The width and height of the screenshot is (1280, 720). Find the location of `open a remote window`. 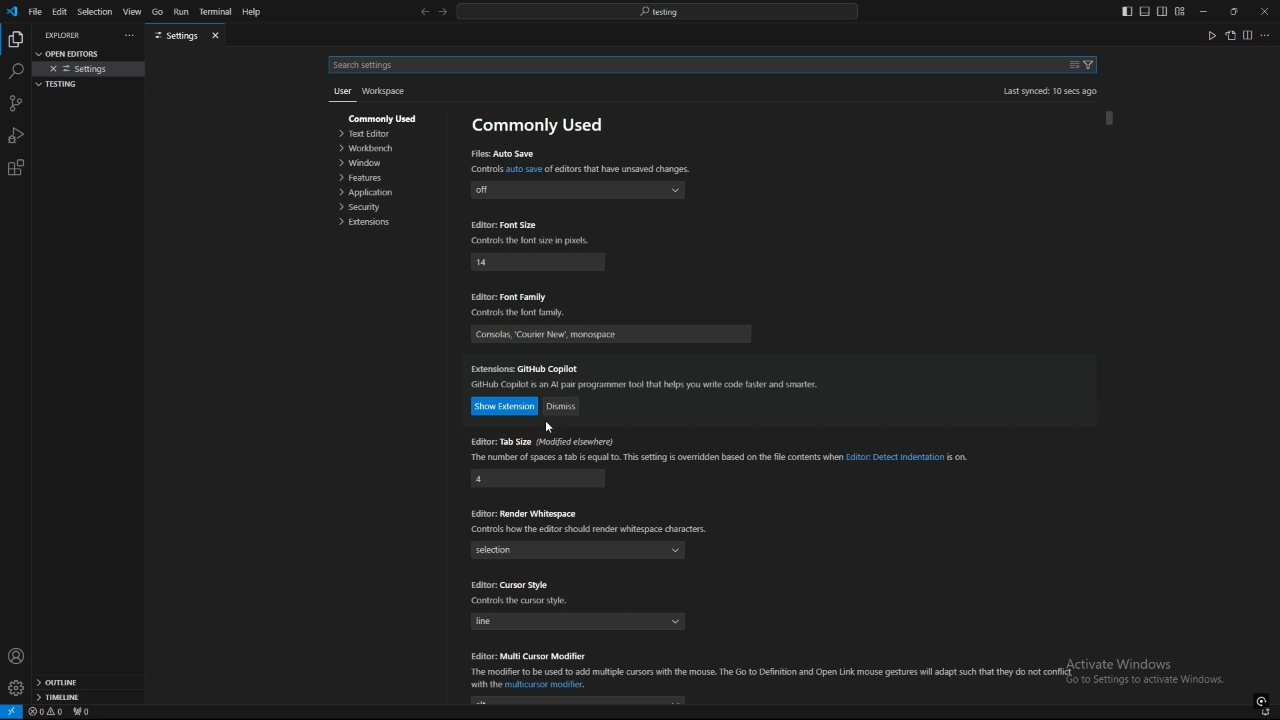

open a remote window is located at coordinates (12, 712).